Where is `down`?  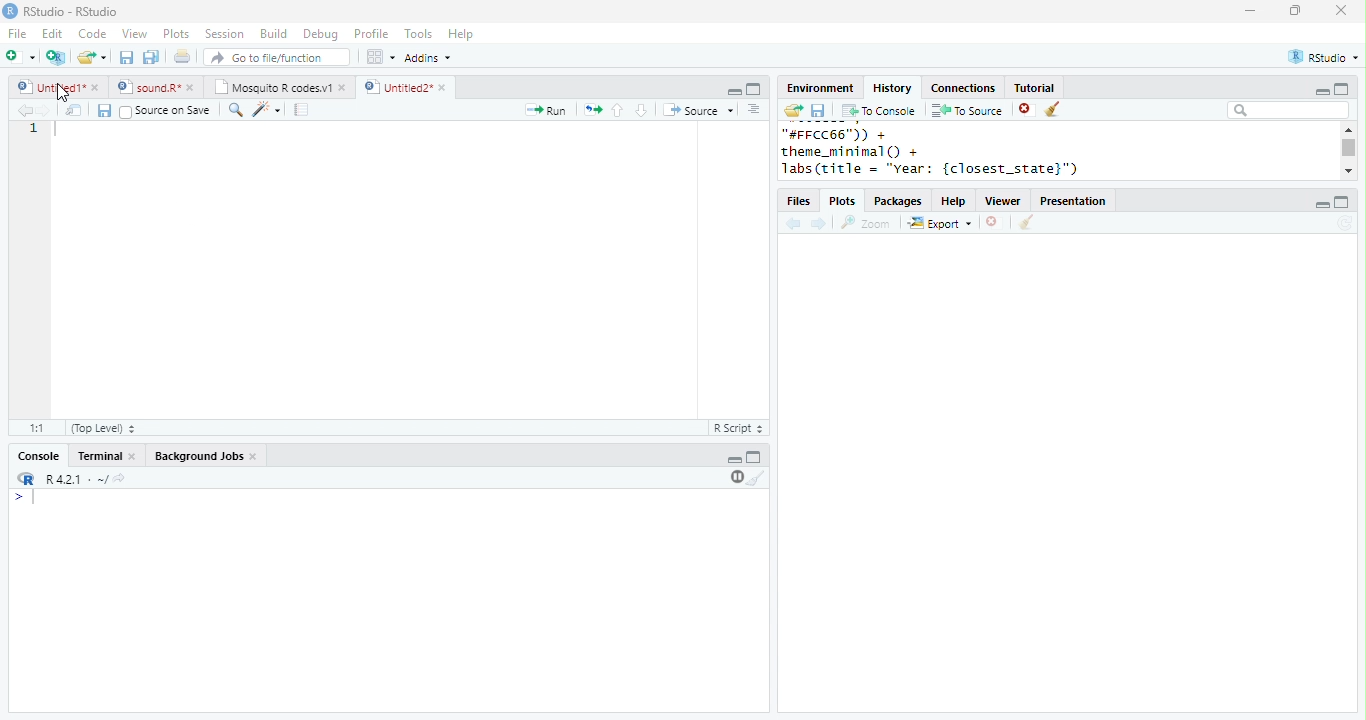
down is located at coordinates (640, 110).